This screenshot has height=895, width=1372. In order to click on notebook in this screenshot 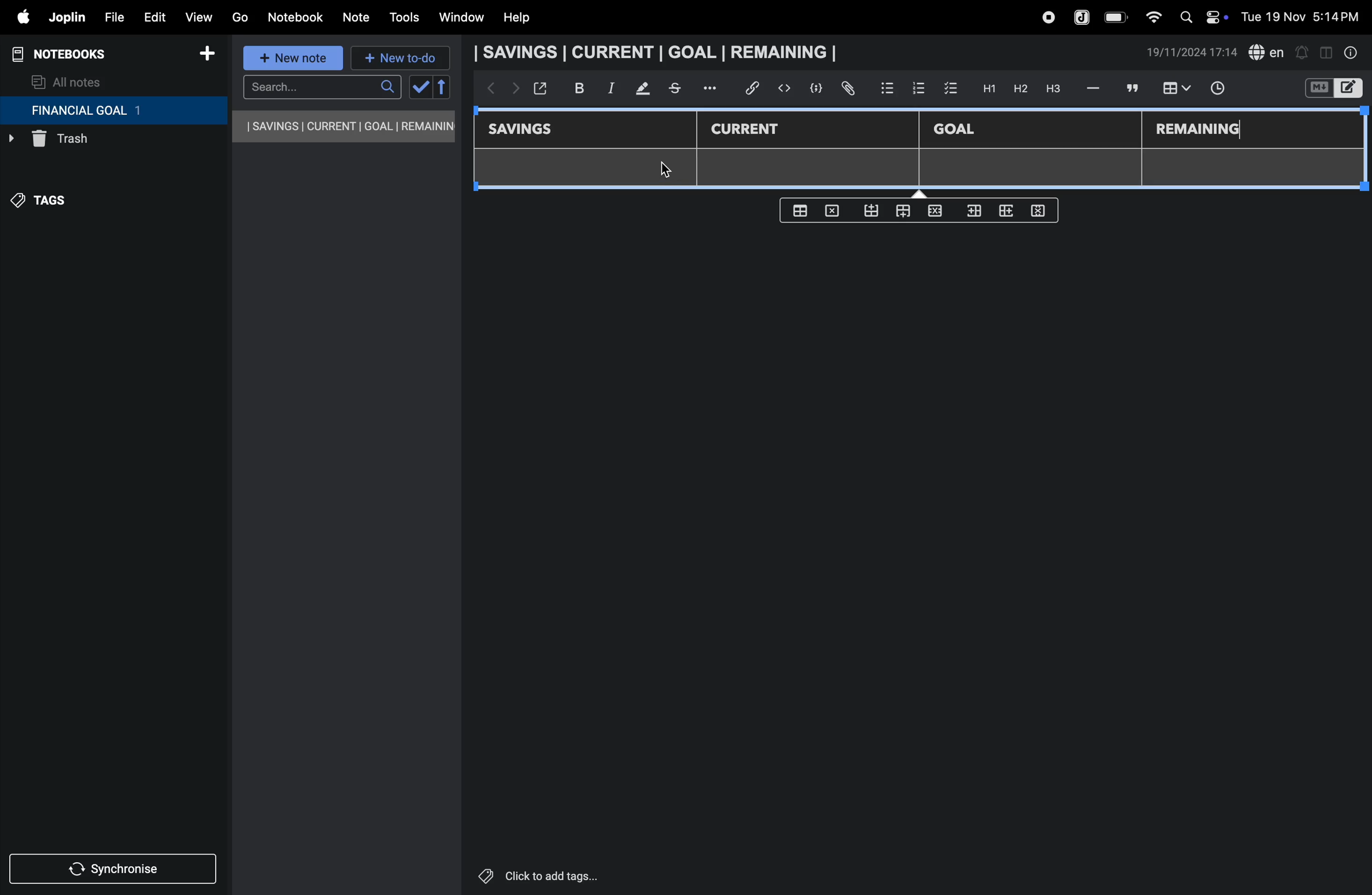, I will do `click(295, 17)`.